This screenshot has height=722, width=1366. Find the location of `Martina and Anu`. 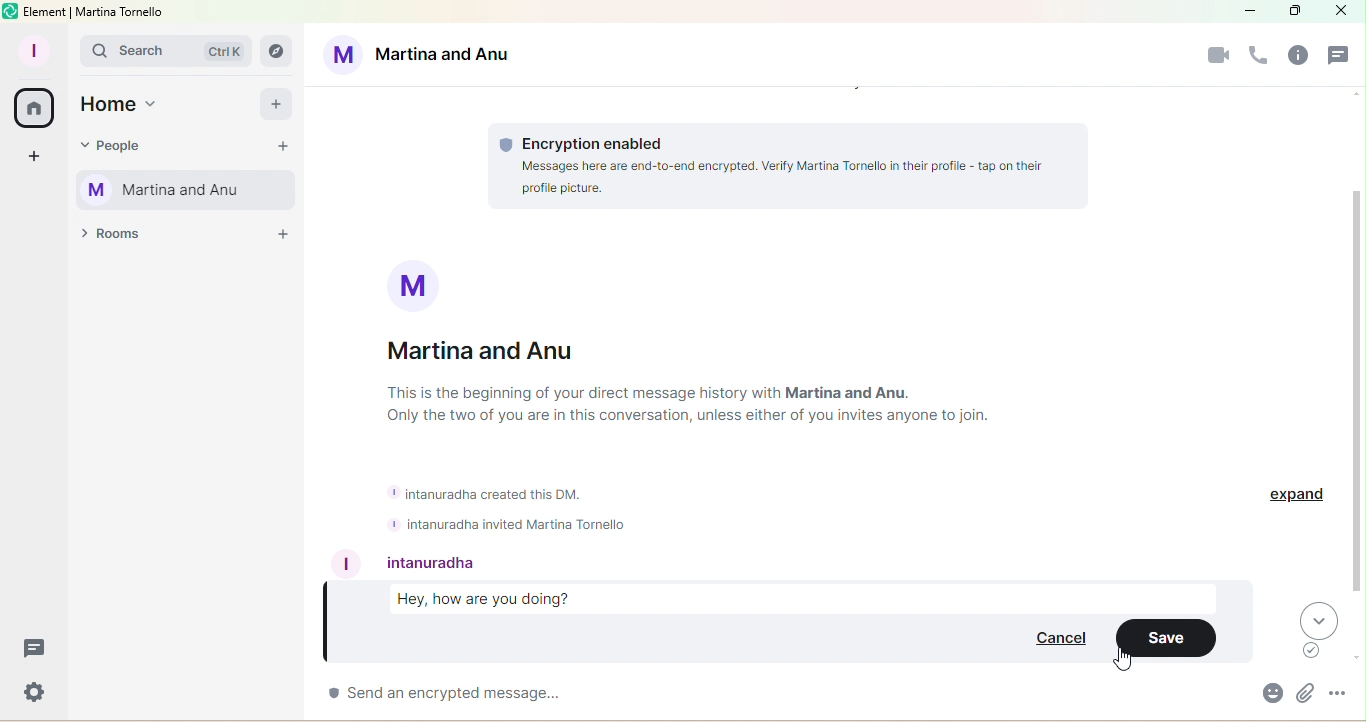

Martina and Anu is located at coordinates (502, 353).